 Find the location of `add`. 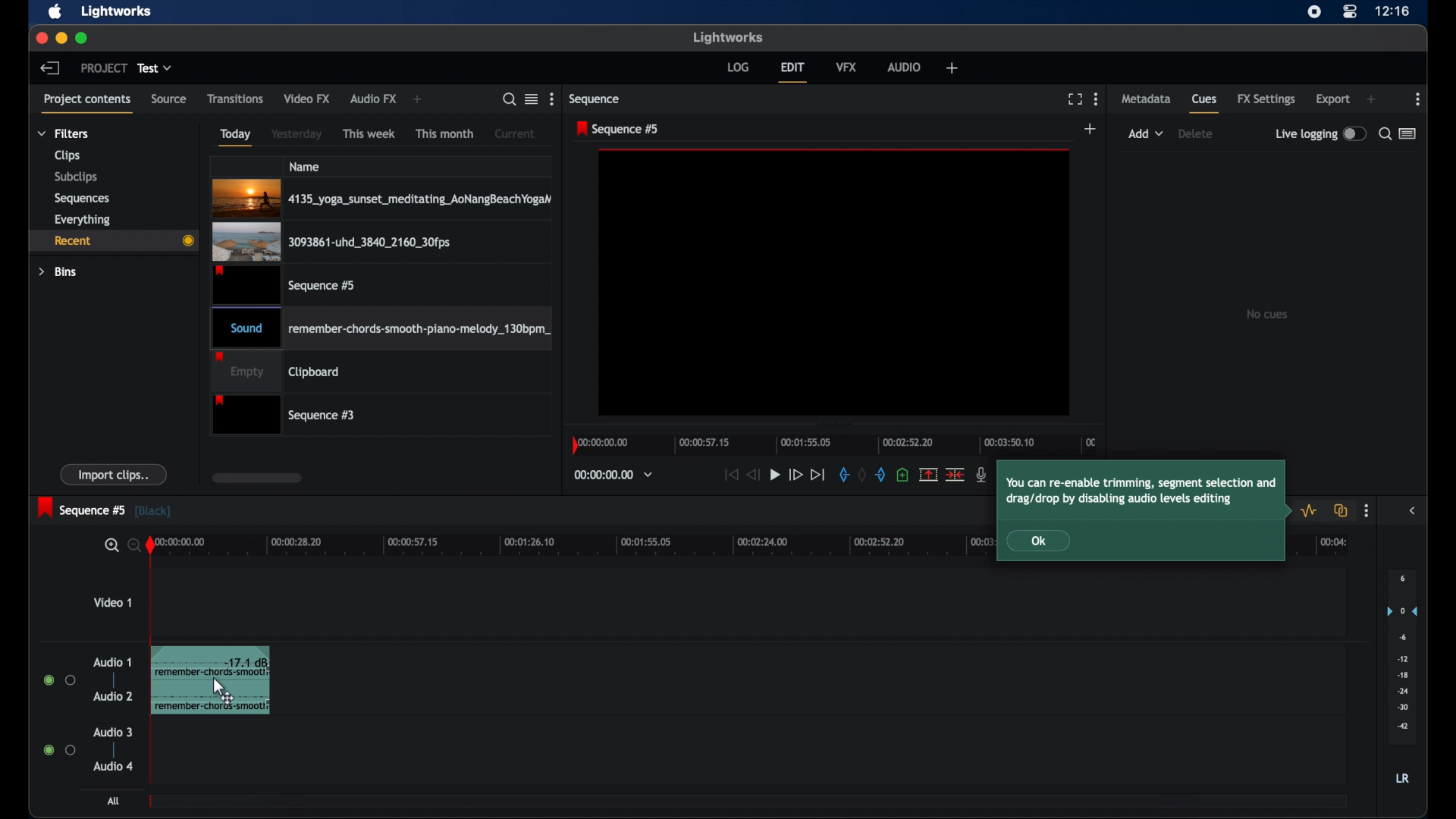

add is located at coordinates (1146, 133).